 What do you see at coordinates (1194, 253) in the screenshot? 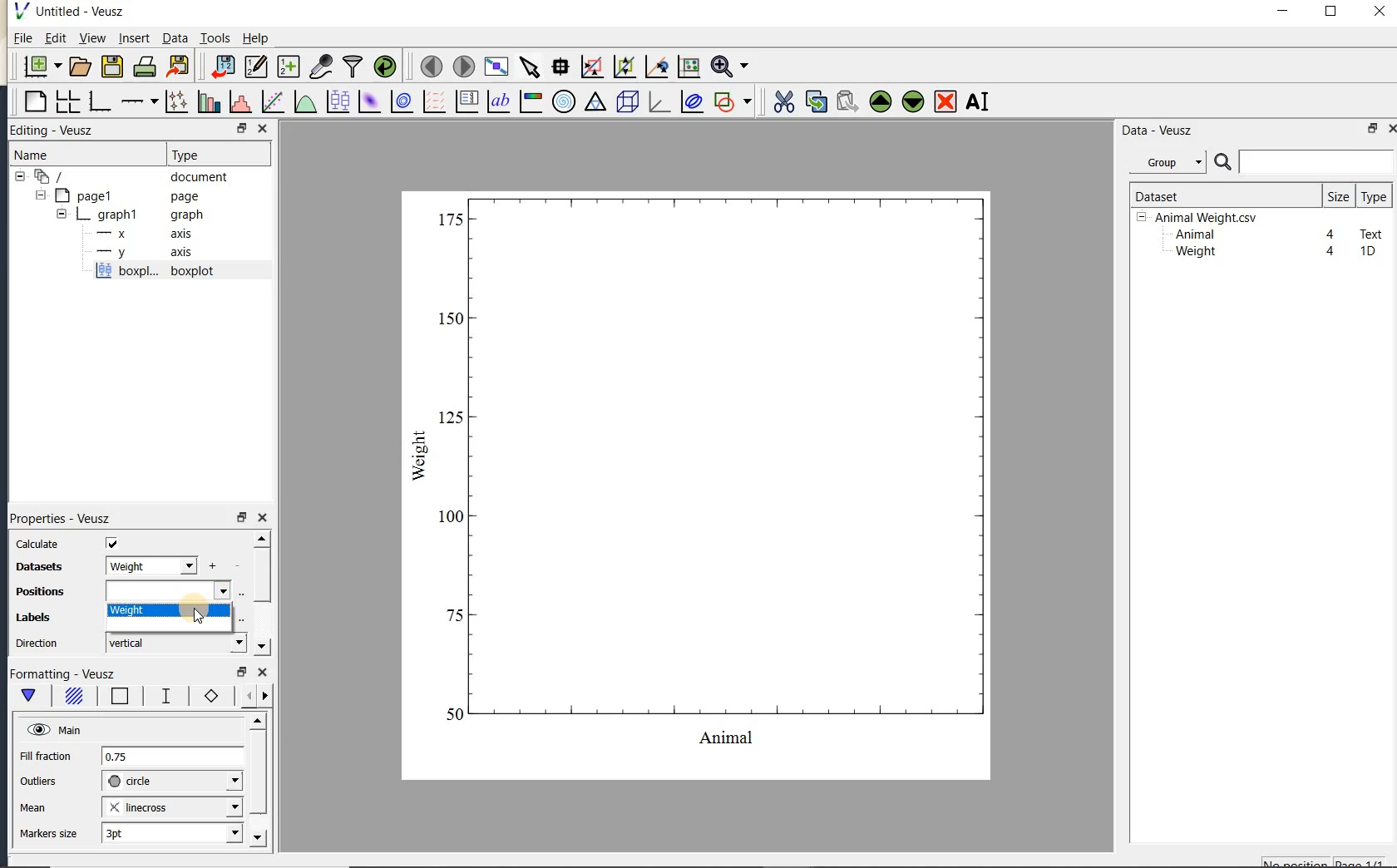
I see `Weight` at bounding box center [1194, 253].